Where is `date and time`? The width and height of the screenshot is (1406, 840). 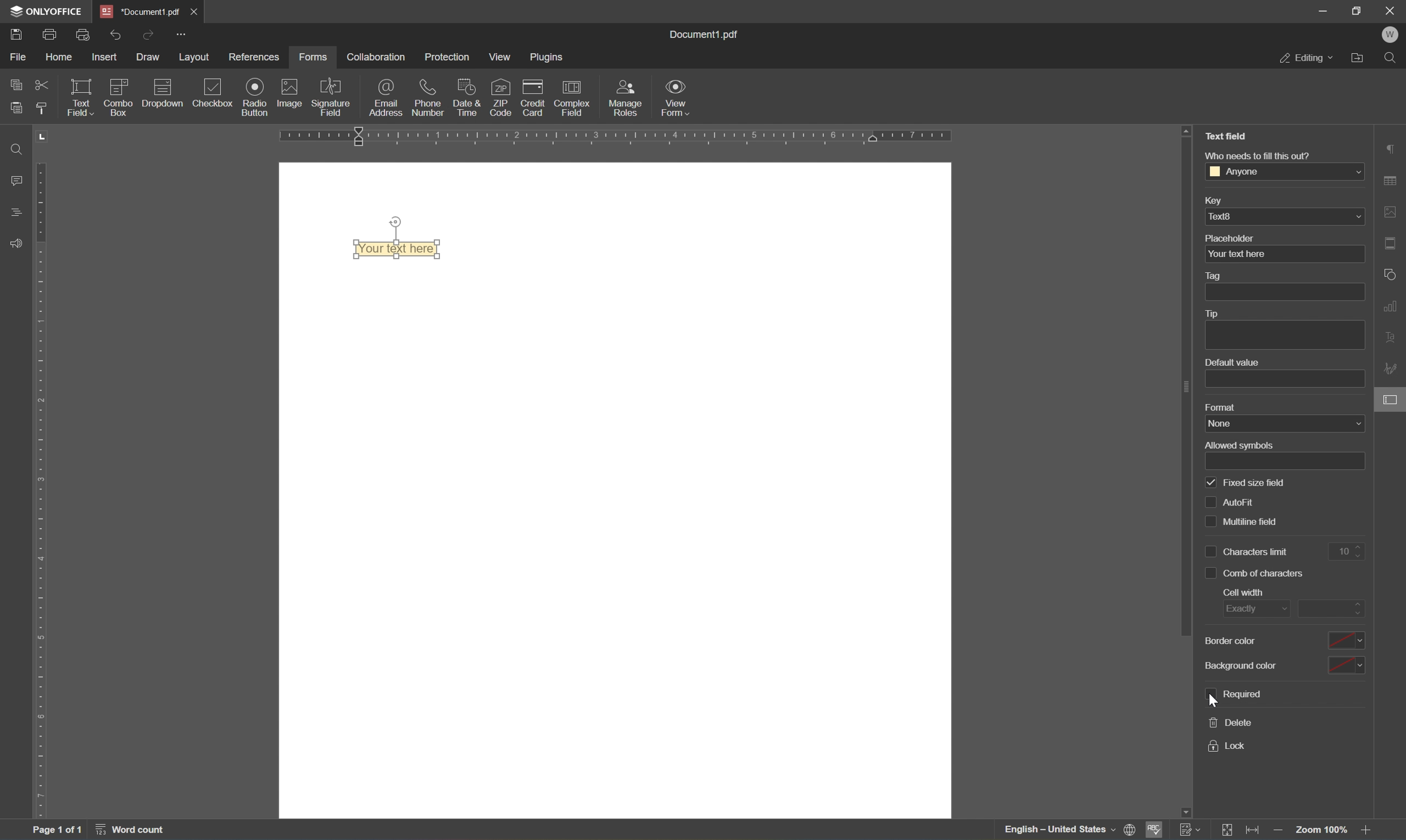 date and time is located at coordinates (465, 98).